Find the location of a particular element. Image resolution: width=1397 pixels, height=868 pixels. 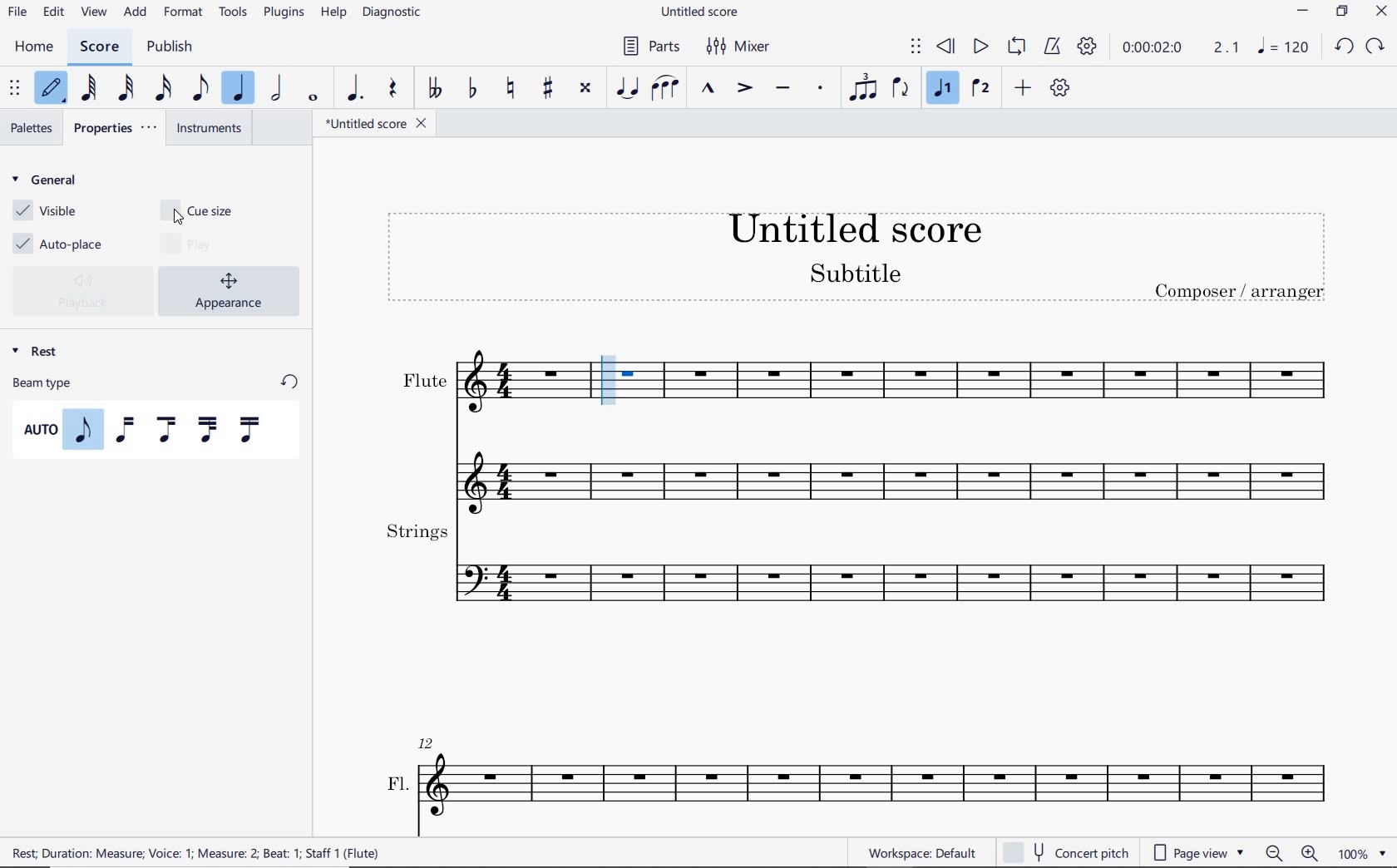

REST is located at coordinates (39, 349).